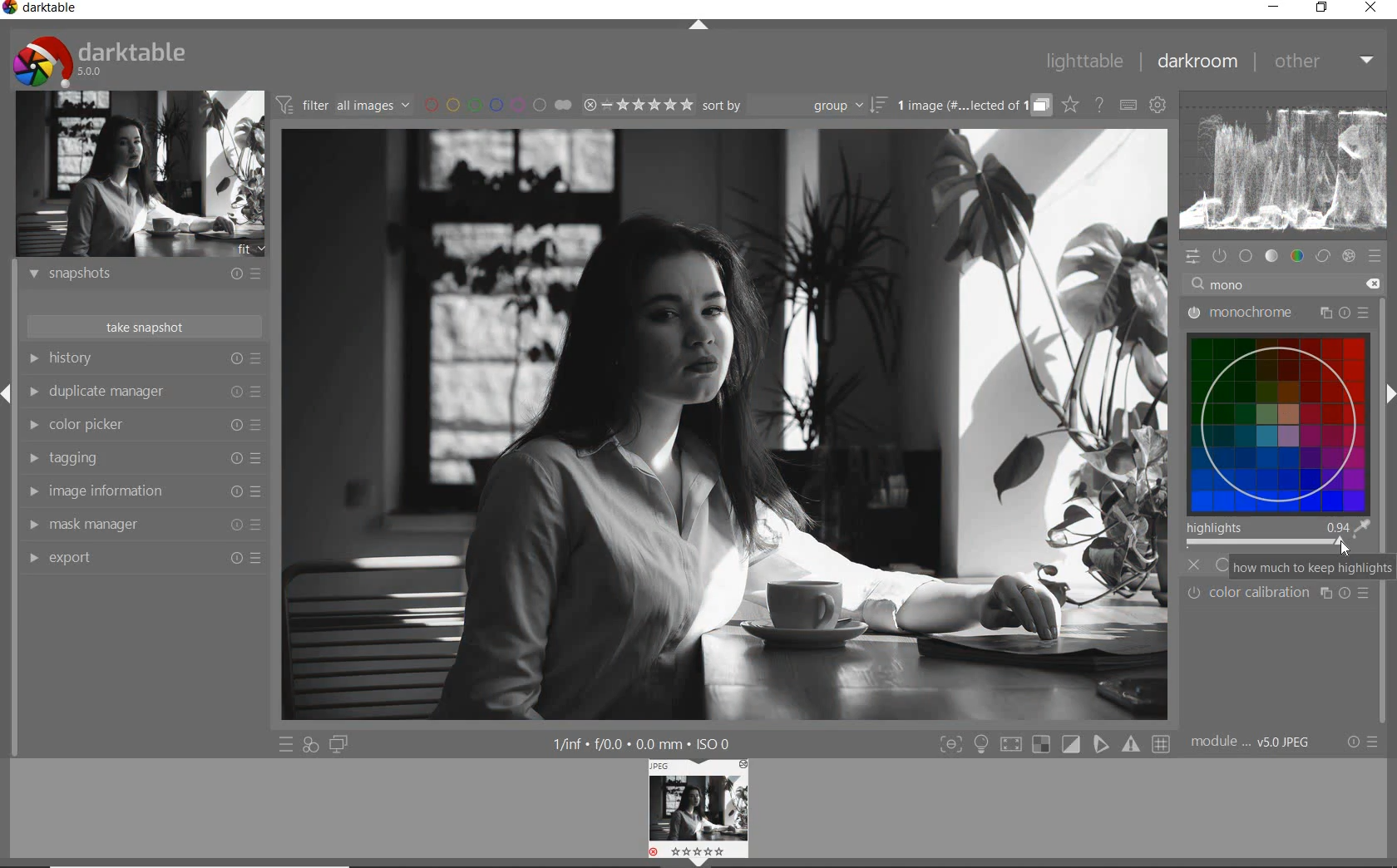  Describe the element at coordinates (1376, 256) in the screenshot. I see `presets` at that location.